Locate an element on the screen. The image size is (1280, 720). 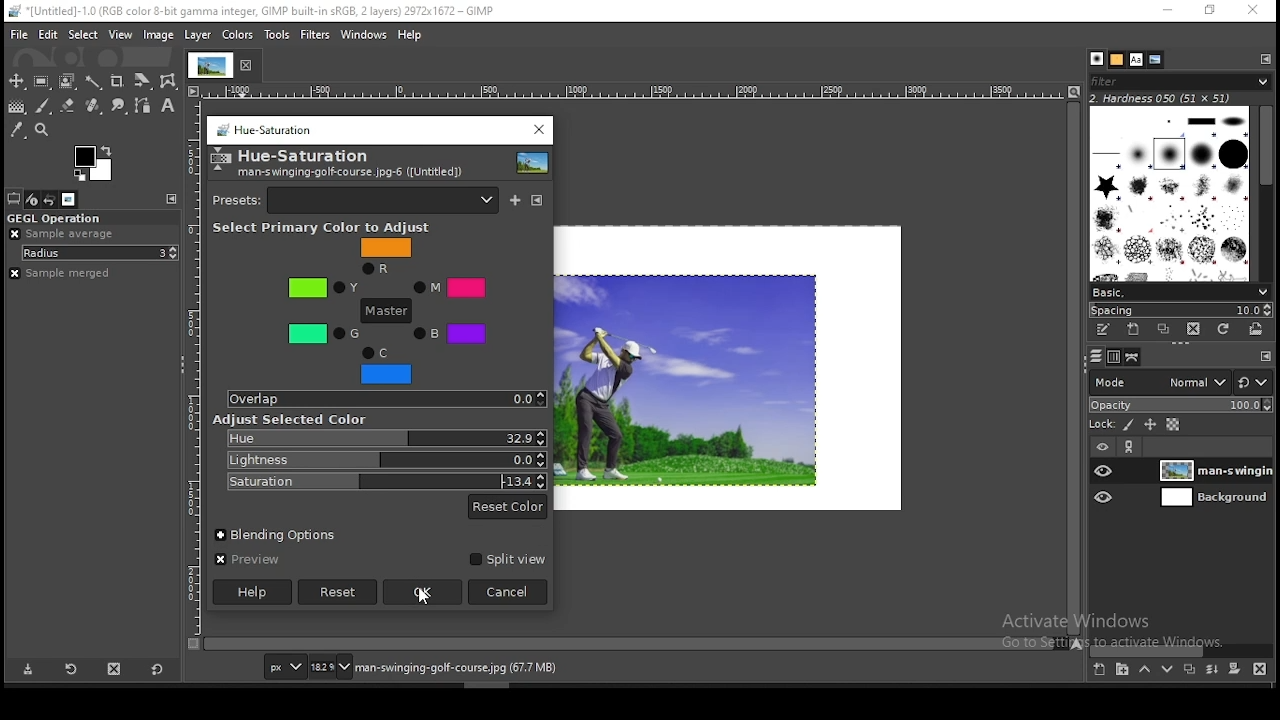
presets is located at coordinates (355, 200).